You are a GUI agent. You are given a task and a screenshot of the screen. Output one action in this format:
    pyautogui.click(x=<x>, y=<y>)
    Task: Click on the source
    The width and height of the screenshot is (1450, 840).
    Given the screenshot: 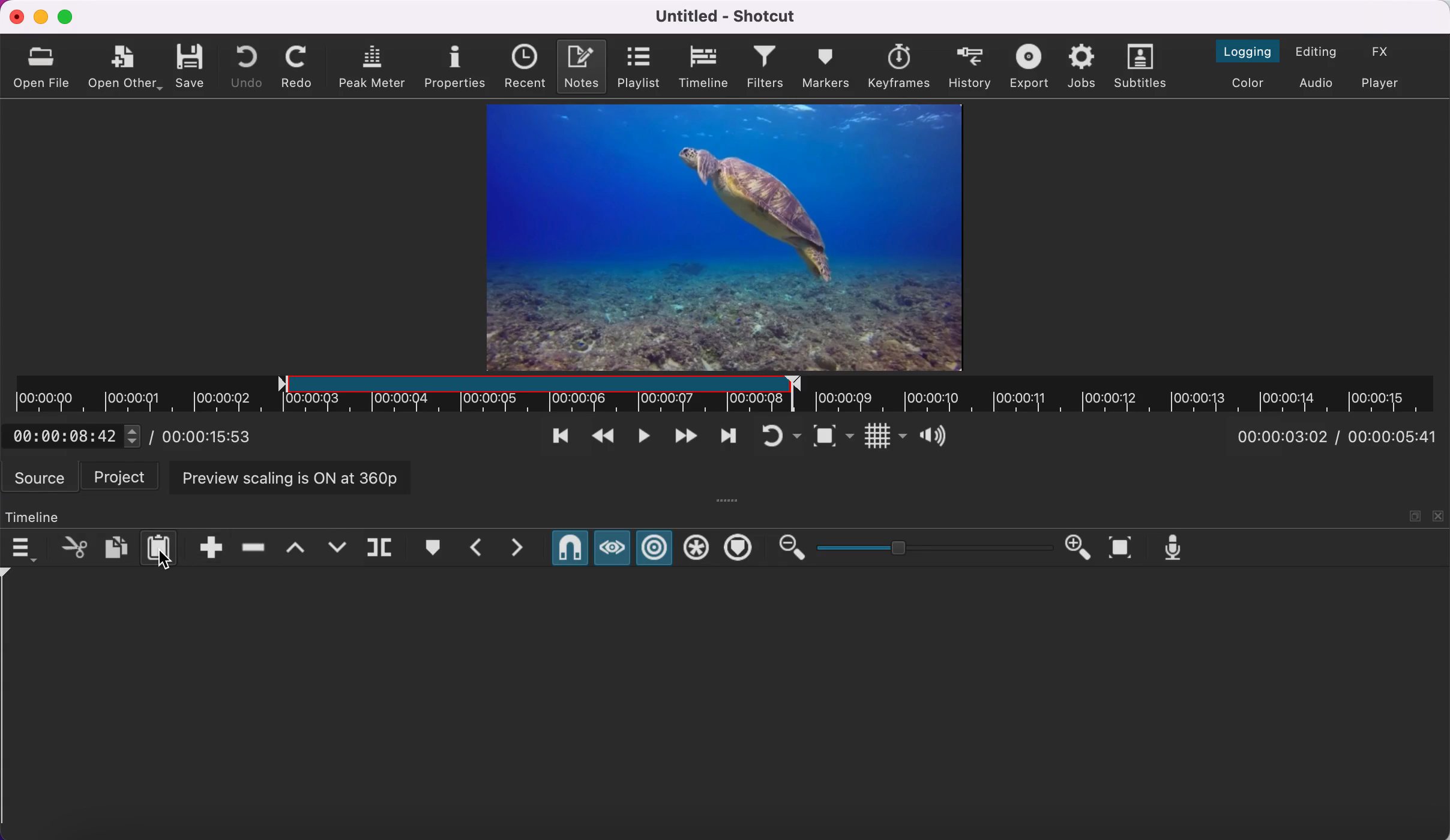 What is the action you would take?
    pyautogui.click(x=39, y=478)
    